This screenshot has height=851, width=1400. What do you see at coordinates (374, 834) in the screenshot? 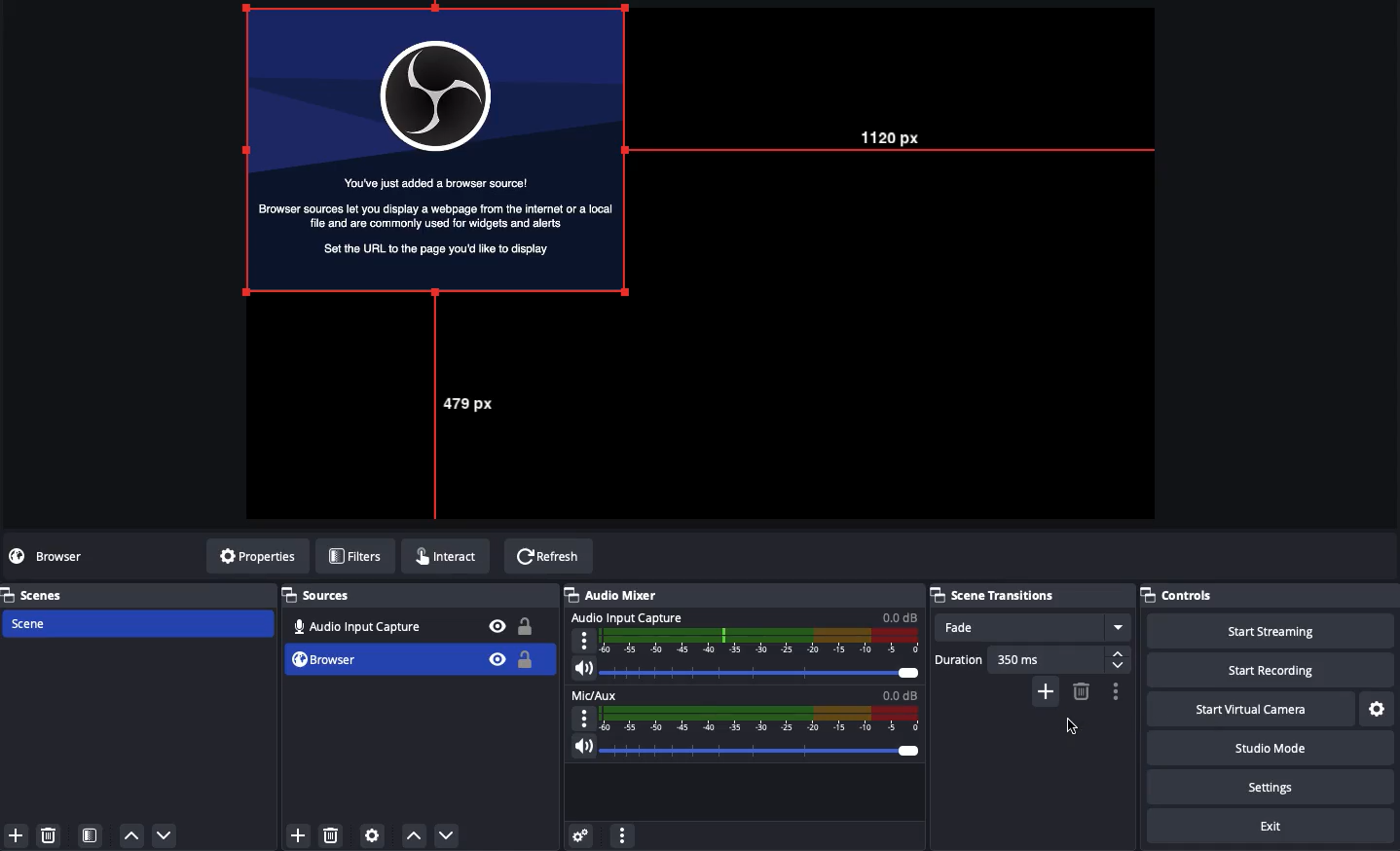
I see `Source preferences` at bounding box center [374, 834].